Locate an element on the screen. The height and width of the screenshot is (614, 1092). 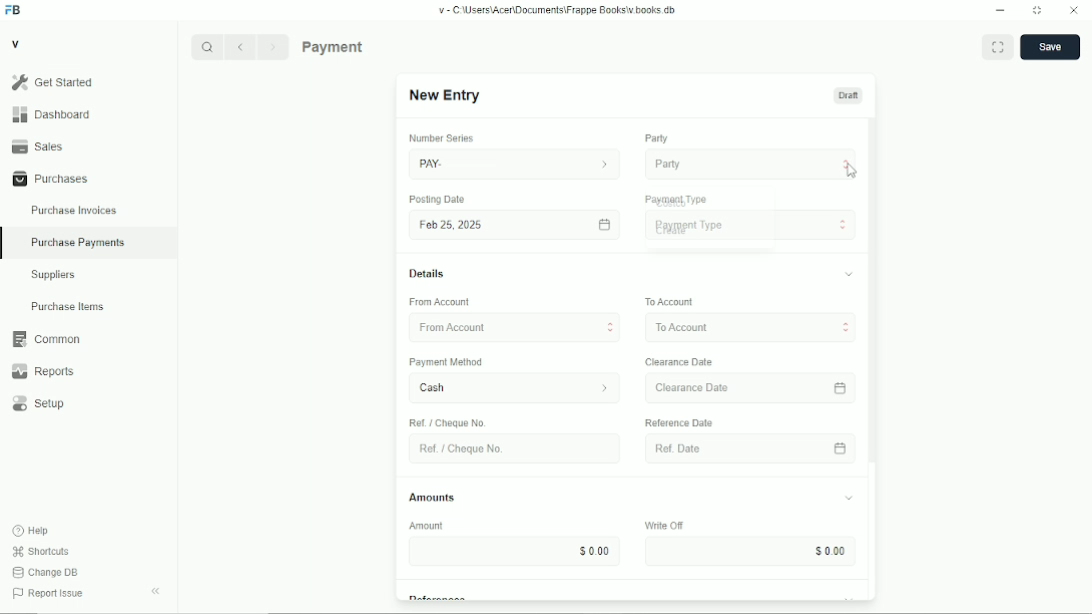
vertical scrollbar is located at coordinates (871, 293).